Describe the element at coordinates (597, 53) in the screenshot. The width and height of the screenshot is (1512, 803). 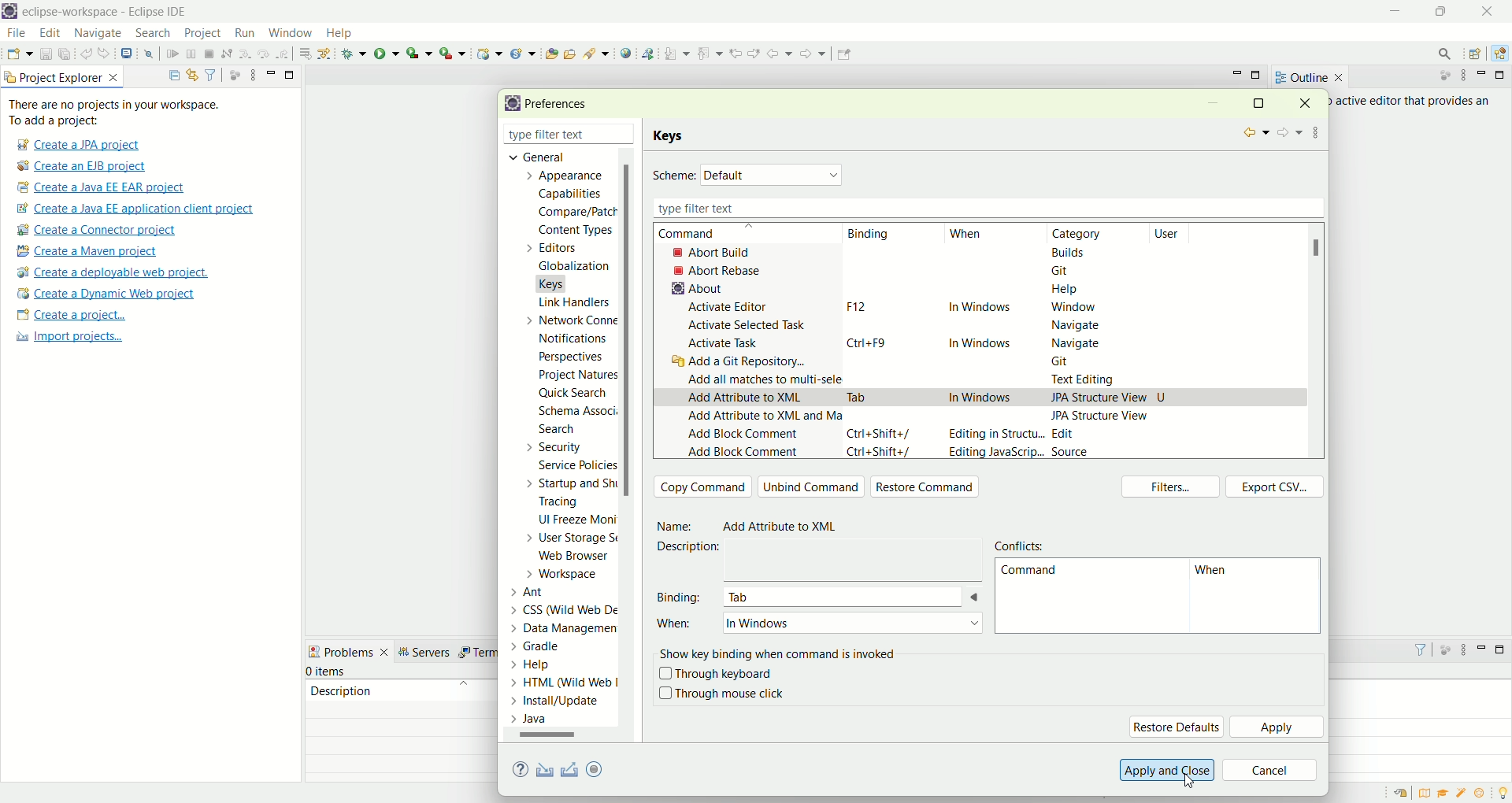
I see `search` at that location.